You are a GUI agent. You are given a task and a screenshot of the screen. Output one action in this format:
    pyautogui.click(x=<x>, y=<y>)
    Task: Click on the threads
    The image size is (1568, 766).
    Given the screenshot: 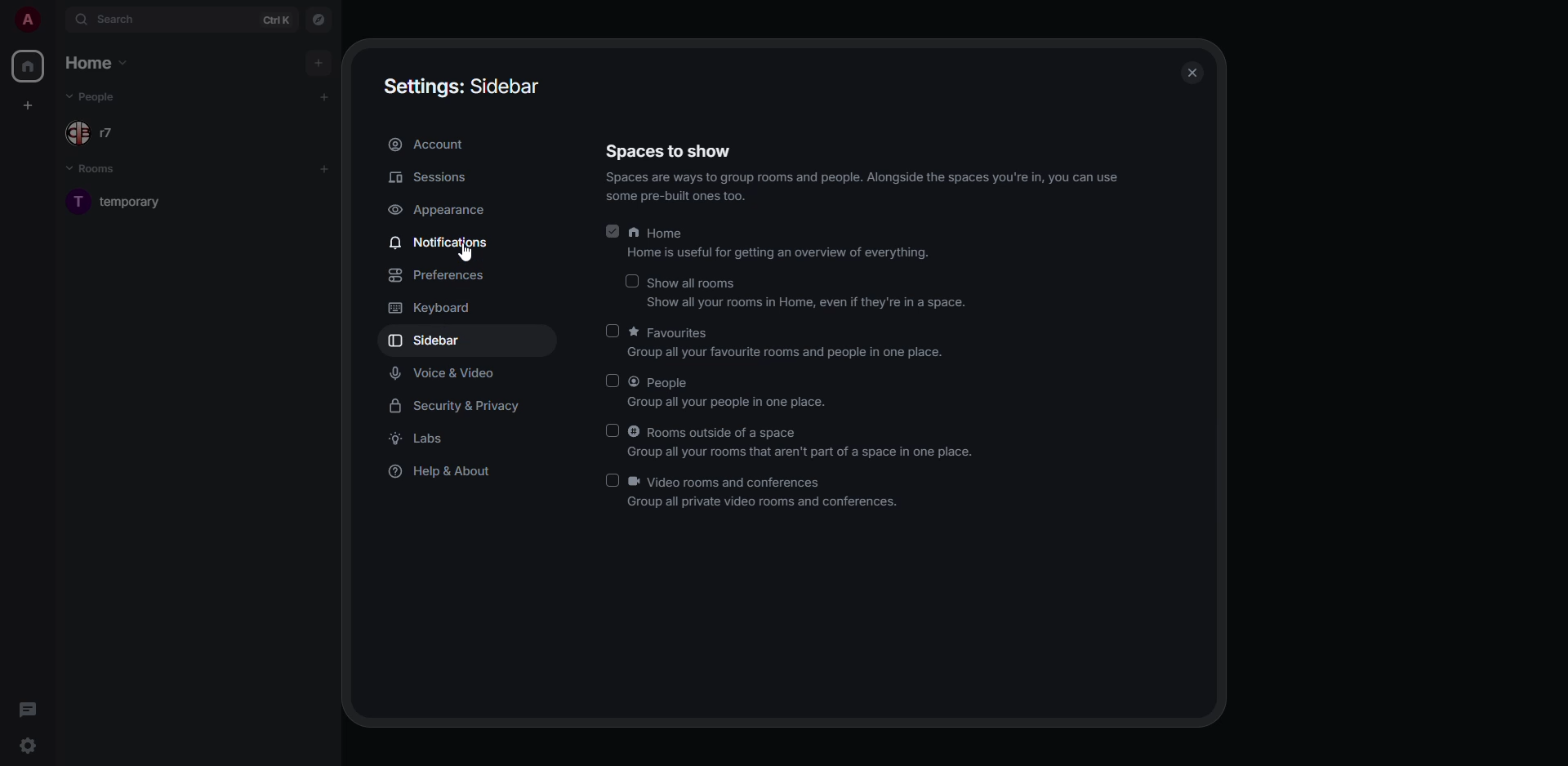 What is the action you would take?
    pyautogui.click(x=26, y=710)
    